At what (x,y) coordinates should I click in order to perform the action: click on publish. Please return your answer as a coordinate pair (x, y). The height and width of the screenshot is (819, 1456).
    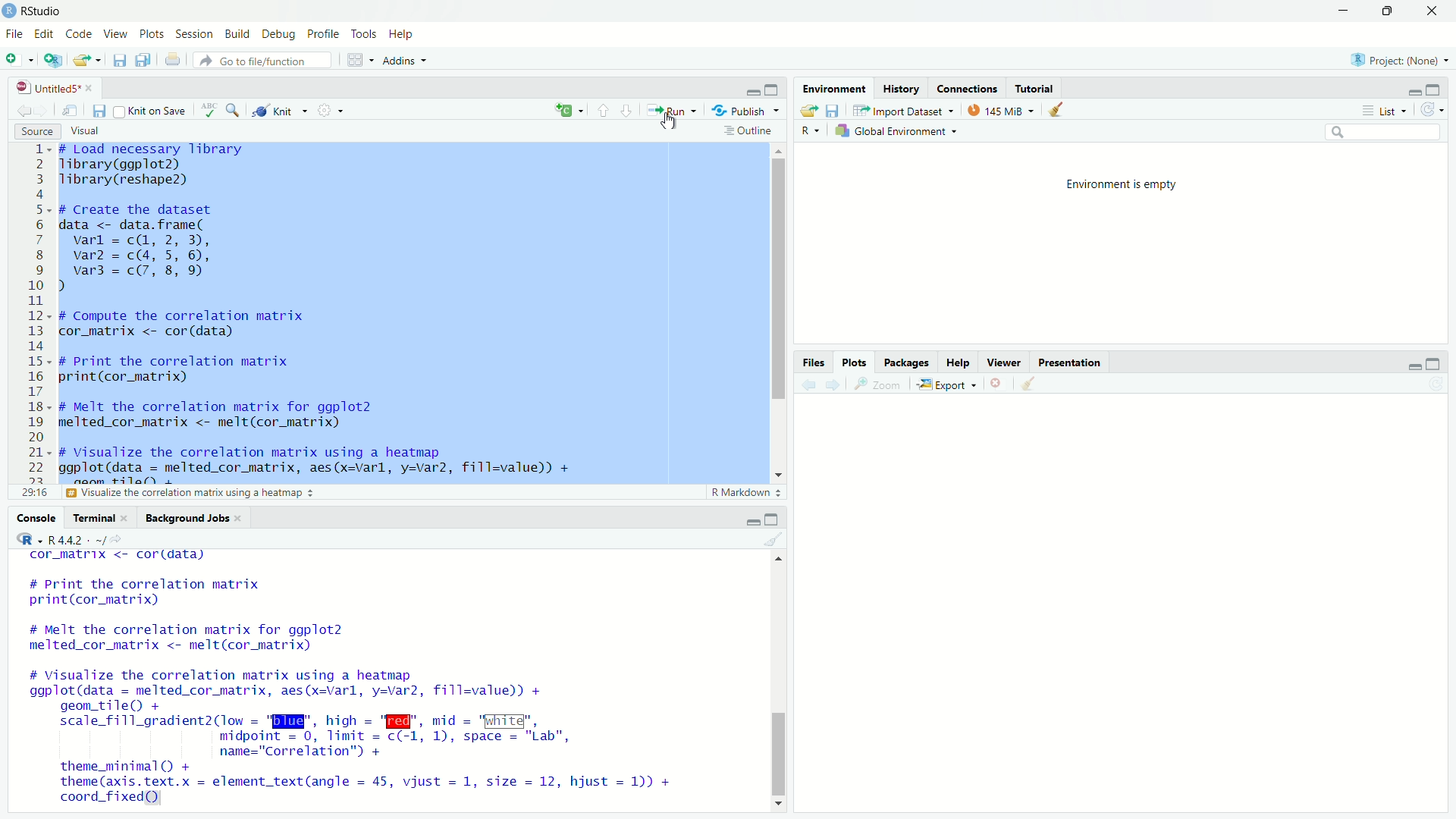
    Looking at the image, I should click on (745, 111).